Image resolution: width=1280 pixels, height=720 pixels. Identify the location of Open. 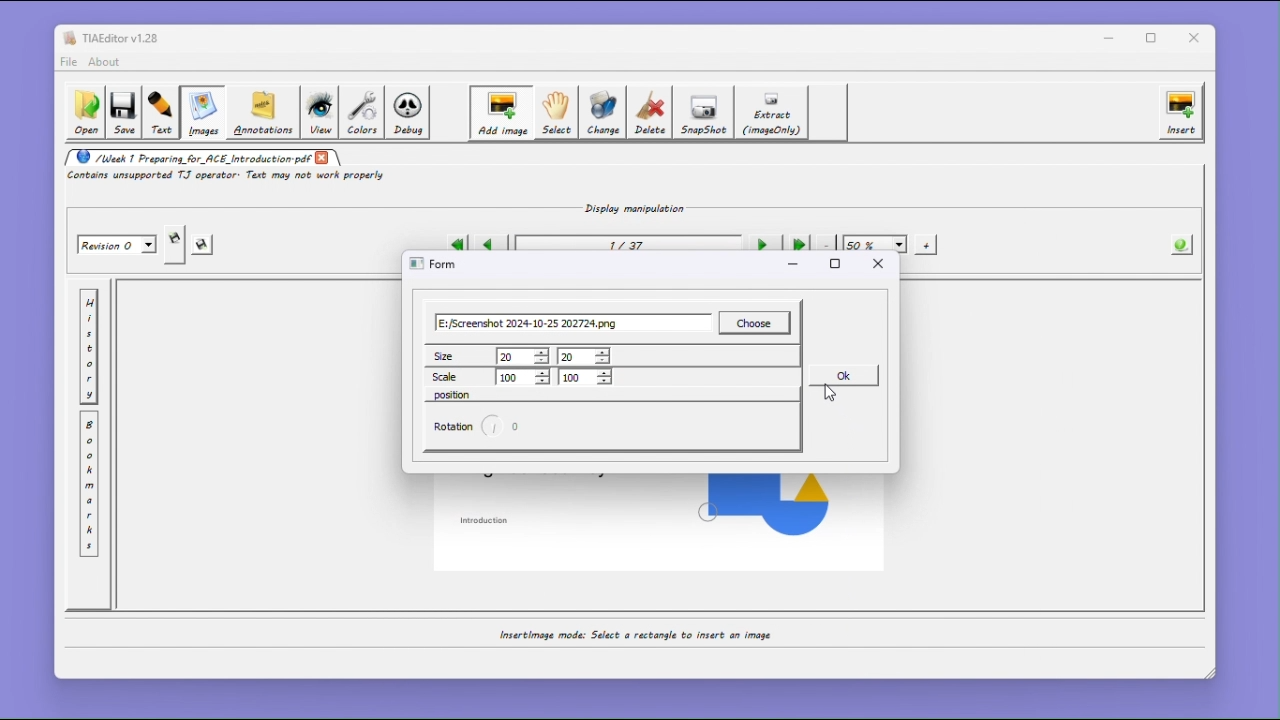
(84, 113).